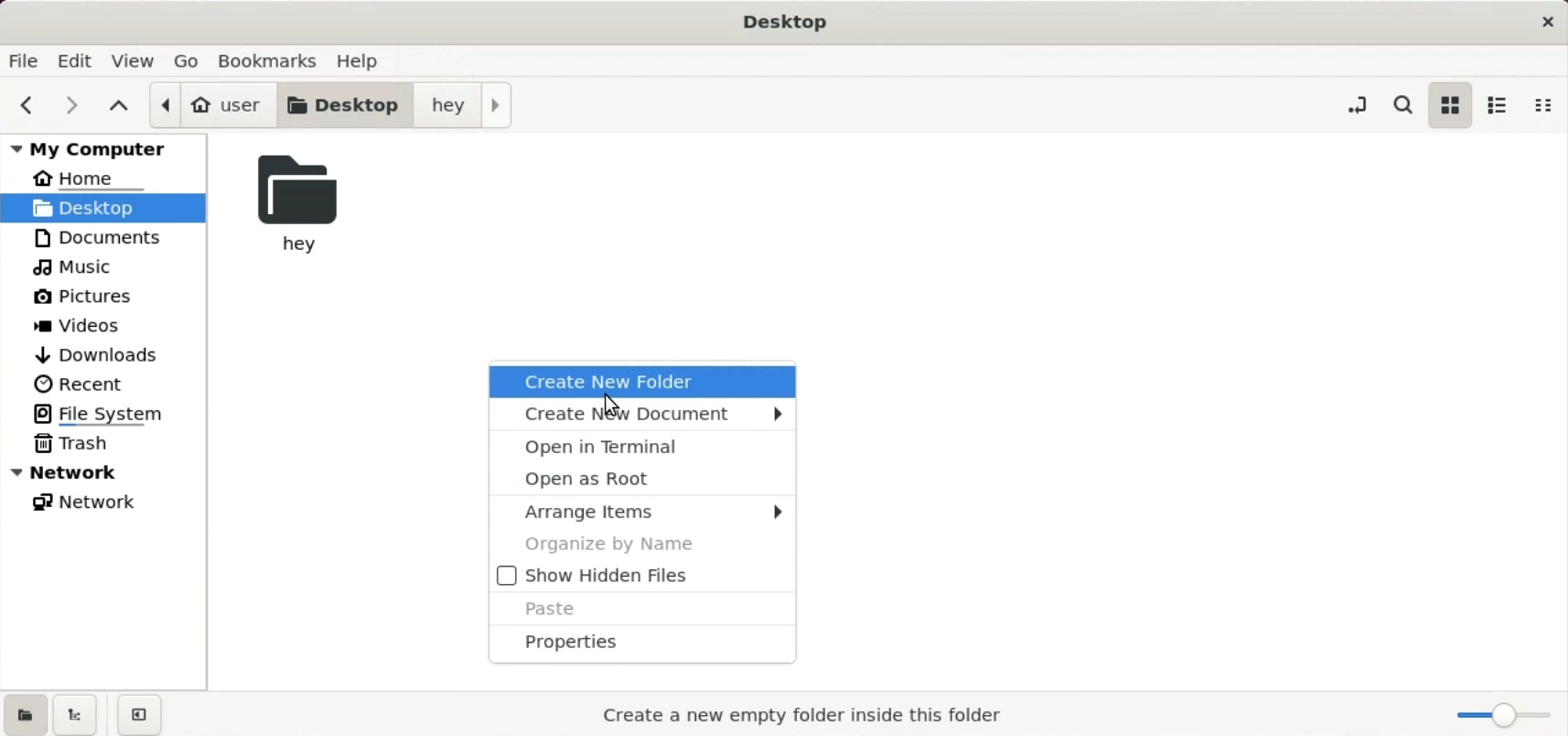 The height and width of the screenshot is (736, 1568). Describe the element at coordinates (102, 412) in the screenshot. I see `file system` at that location.